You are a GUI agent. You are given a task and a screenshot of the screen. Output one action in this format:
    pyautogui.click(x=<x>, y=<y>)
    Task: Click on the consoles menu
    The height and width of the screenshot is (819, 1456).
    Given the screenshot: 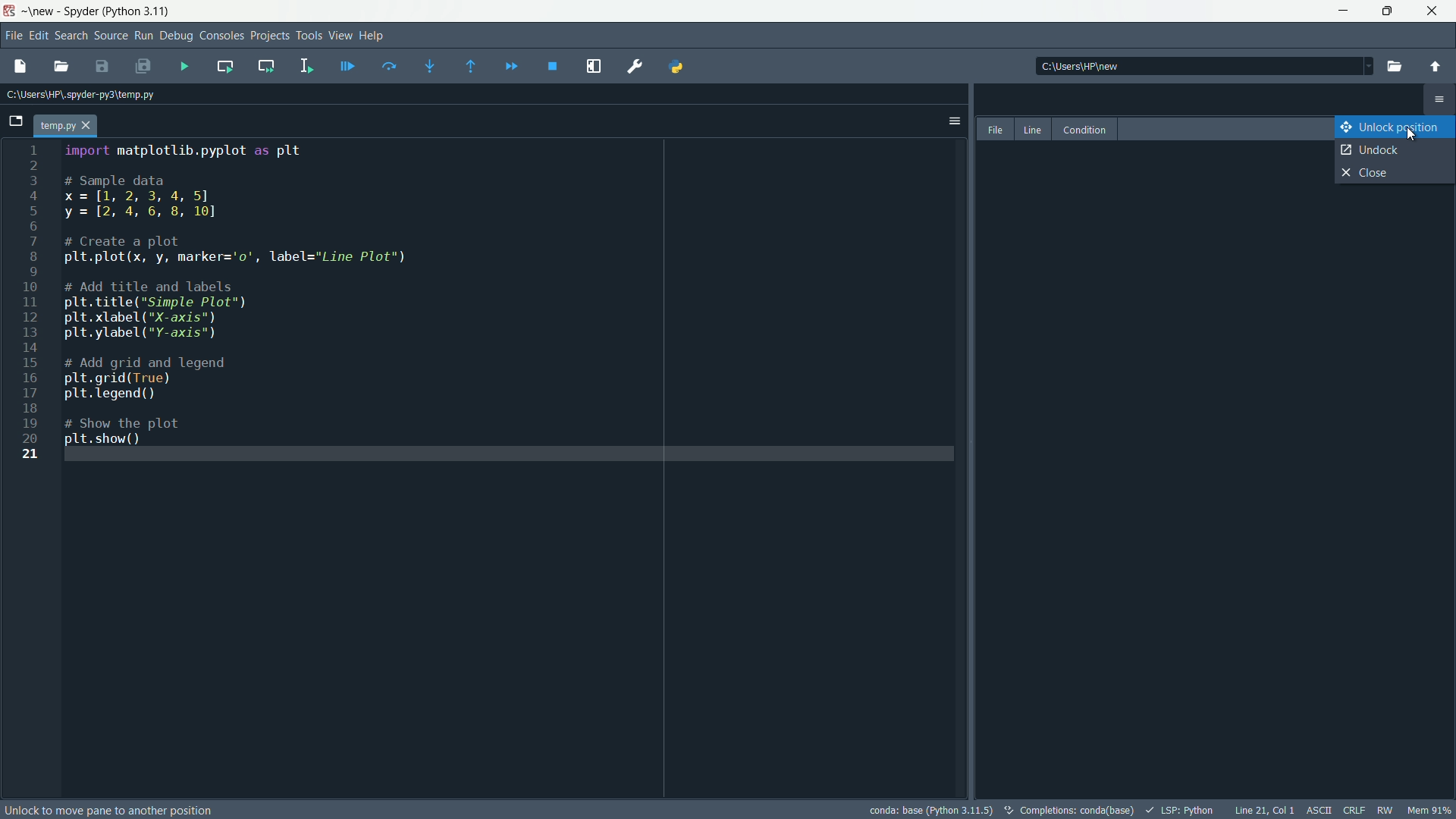 What is the action you would take?
    pyautogui.click(x=221, y=35)
    